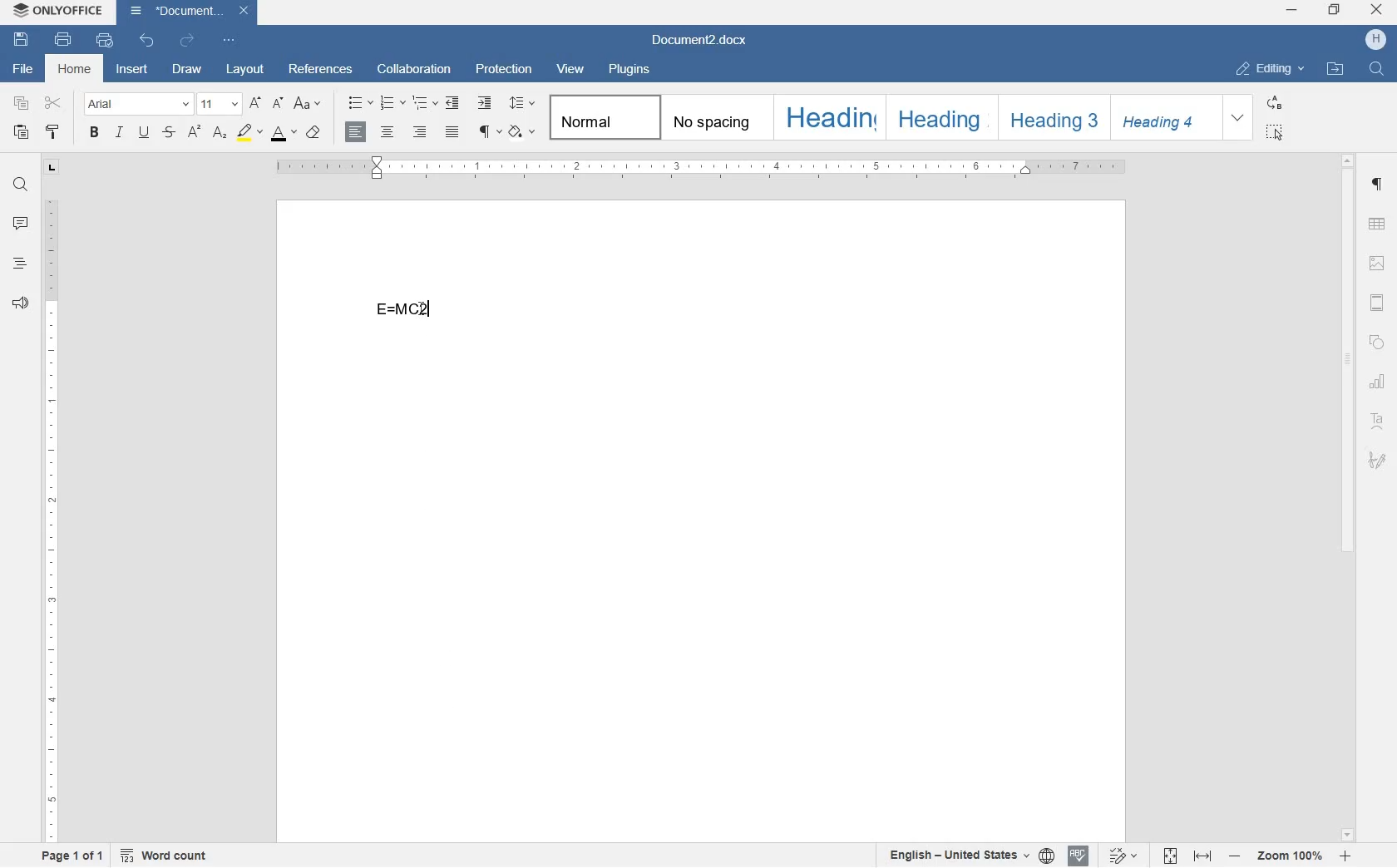 The image size is (1397, 868). Describe the element at coordinates (23, 134) in the screenshot. I see `paste` at that location.